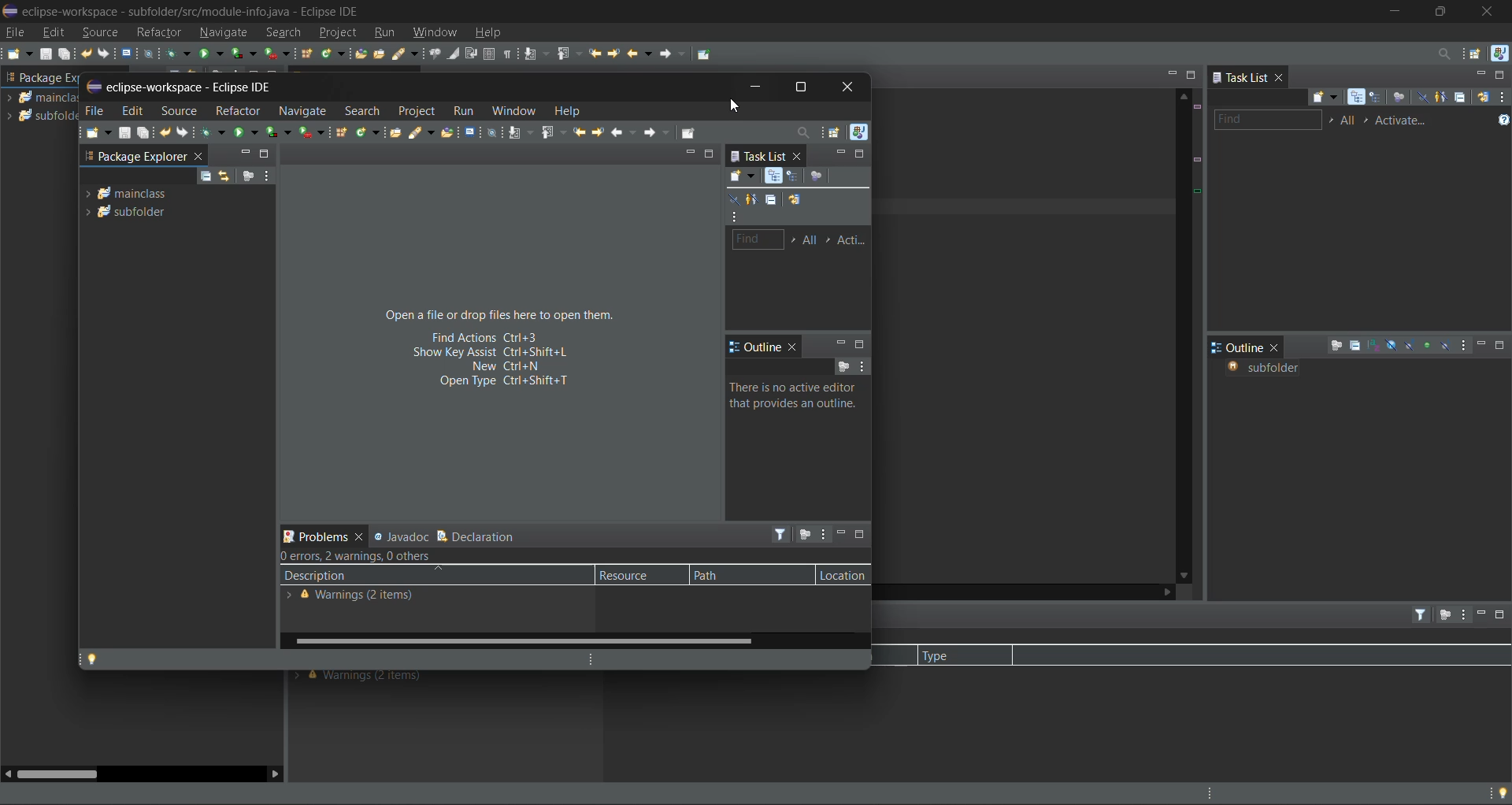  What do you see at coordinates (1427, 344) in the screenshot?
I see `hide non public members` at bounding box center [1427, 344].